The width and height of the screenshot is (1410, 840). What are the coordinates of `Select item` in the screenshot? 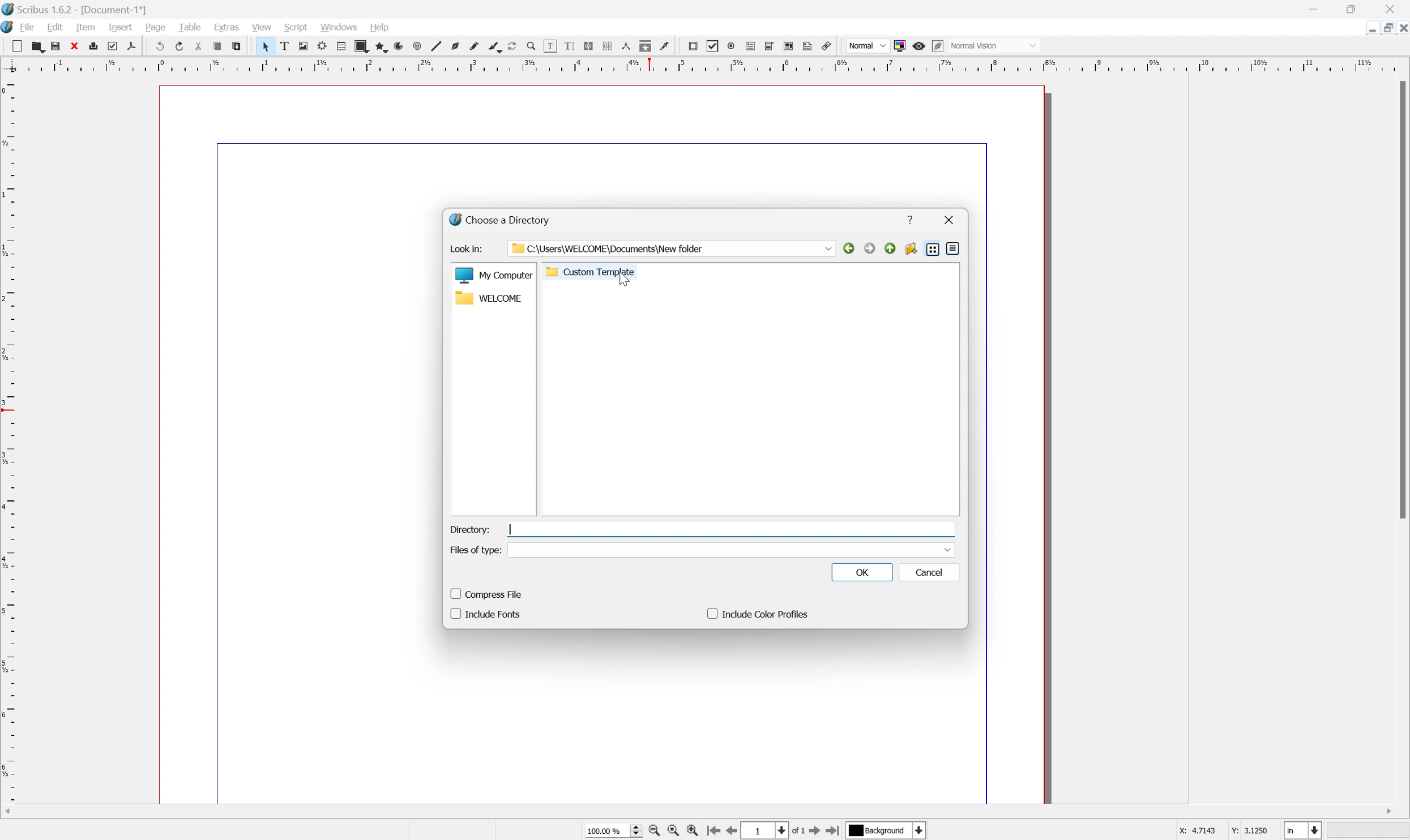 It's located at (267, 46).